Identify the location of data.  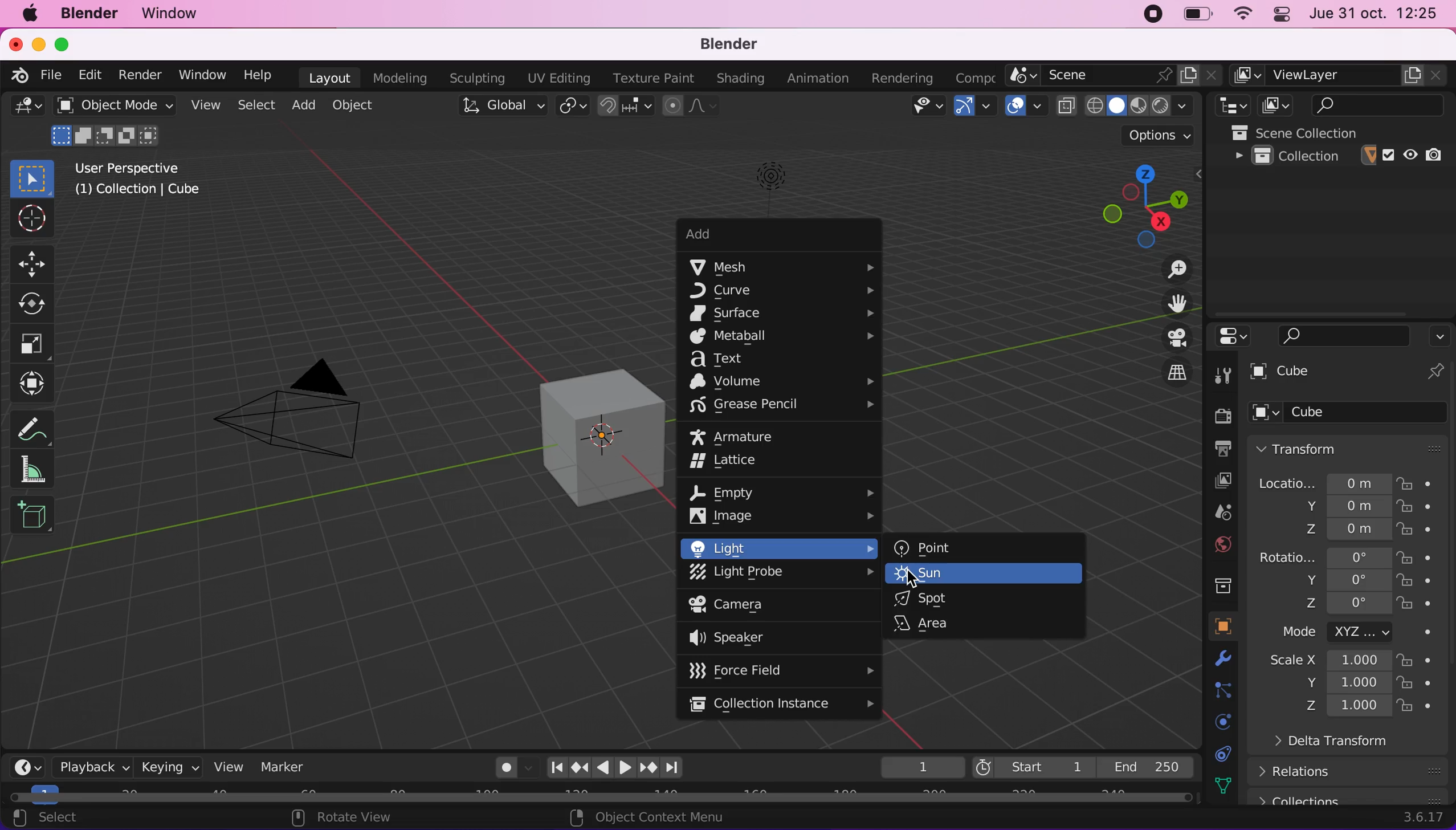
(1218, 784).